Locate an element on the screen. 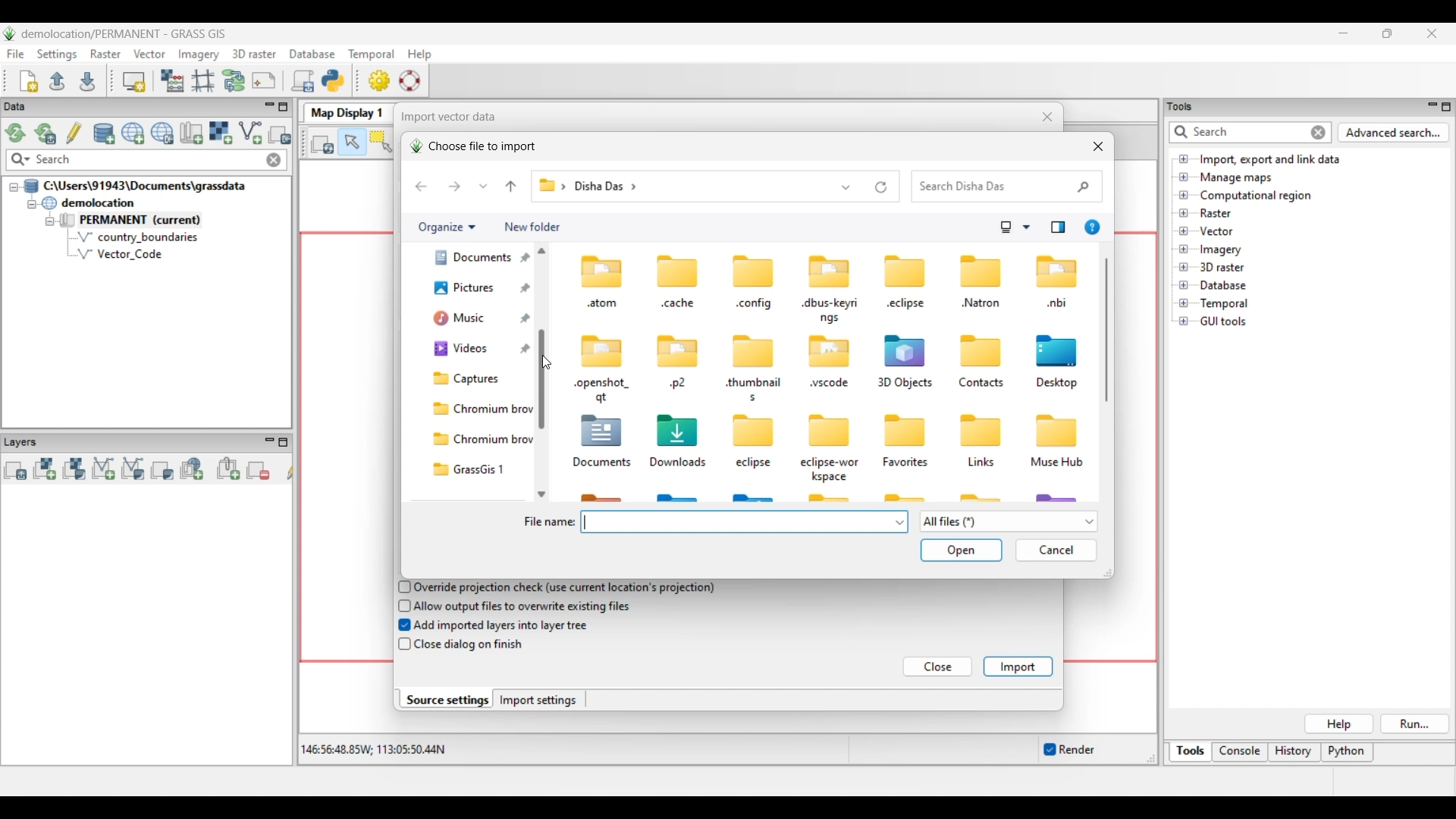 Image resolution: width=1456 pixels, height=819 pixels. Double click to view files under Import, export and link data is located at coordinates (1270, 160).